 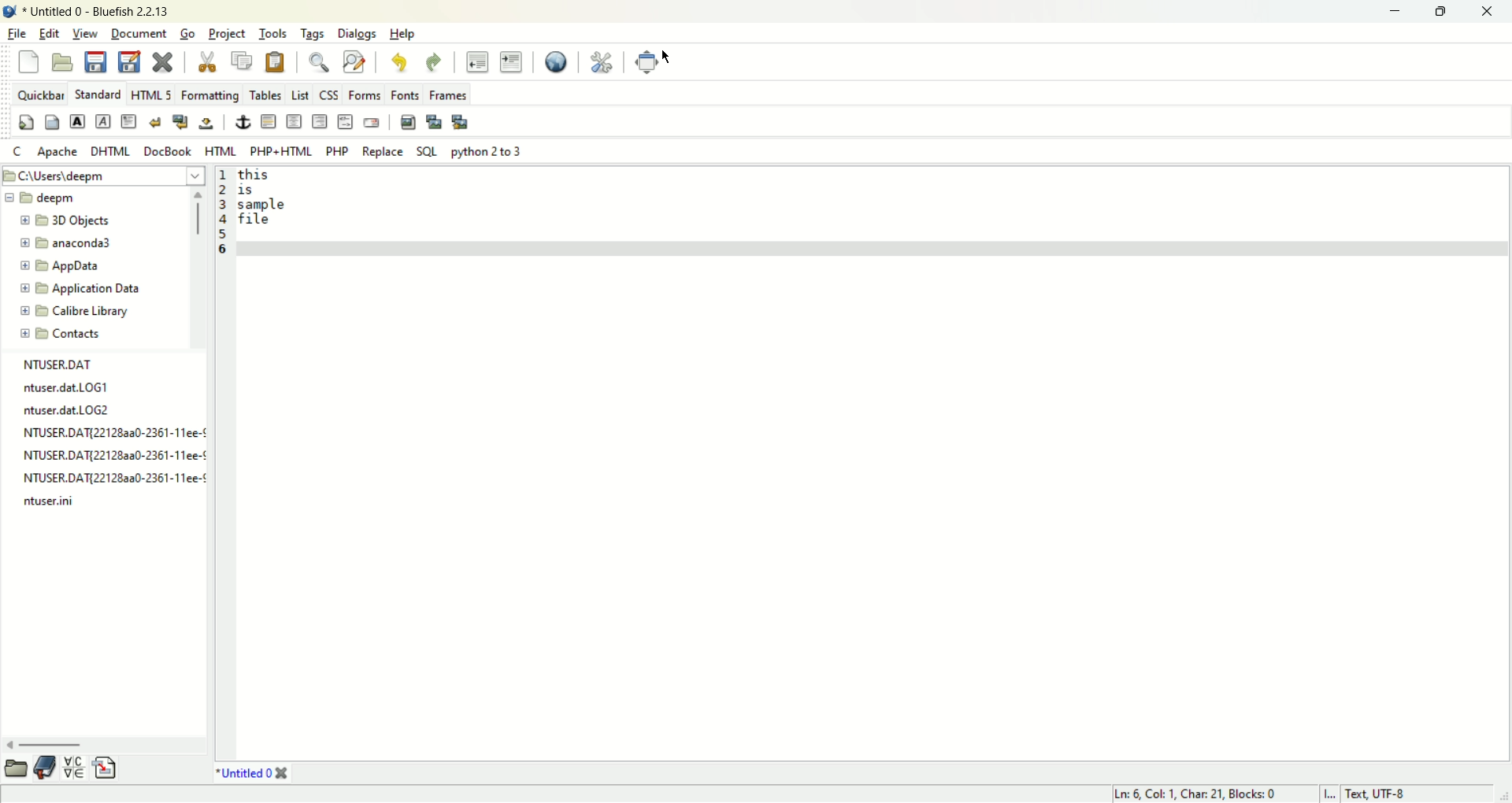 I want to click on strong, so click(x=77, y=121).